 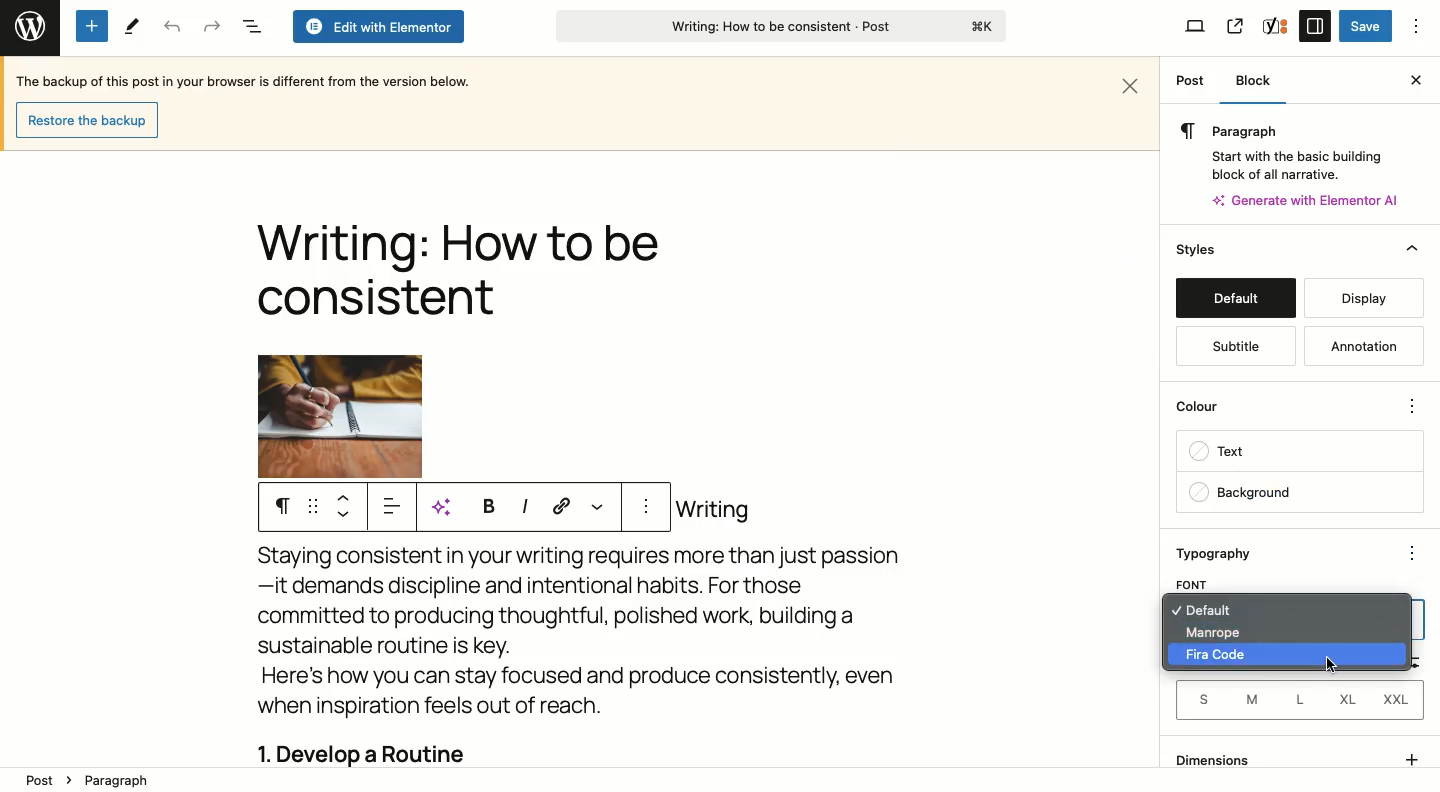 What do you see at coordinates (1299, 453) in the screenshot?
I see `Text` at bounding box center [1299, 453].